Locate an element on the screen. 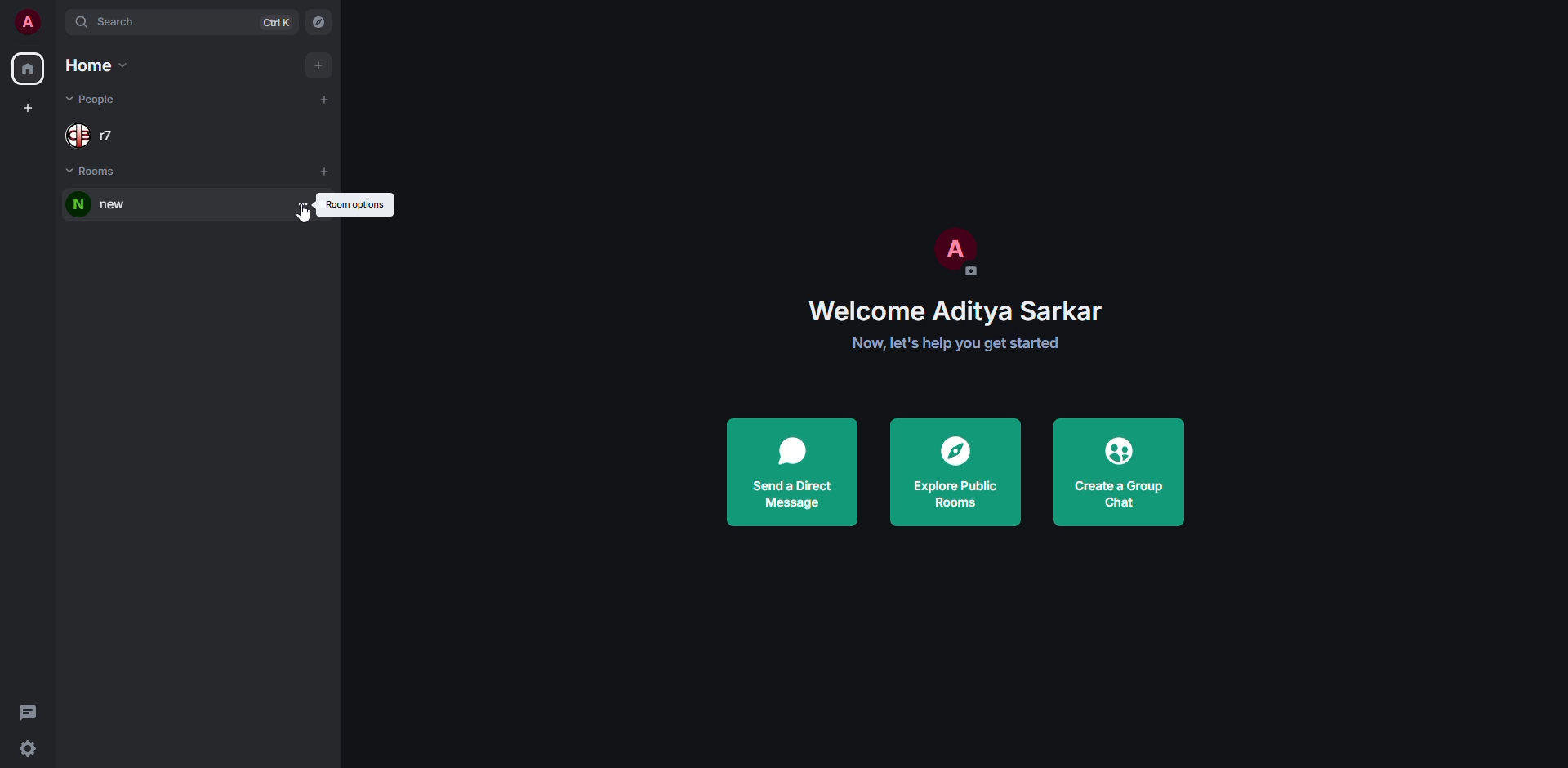 Image resolution: width=1568 pixels, height=768 pixels. profile is located at coordinates (27, 21).